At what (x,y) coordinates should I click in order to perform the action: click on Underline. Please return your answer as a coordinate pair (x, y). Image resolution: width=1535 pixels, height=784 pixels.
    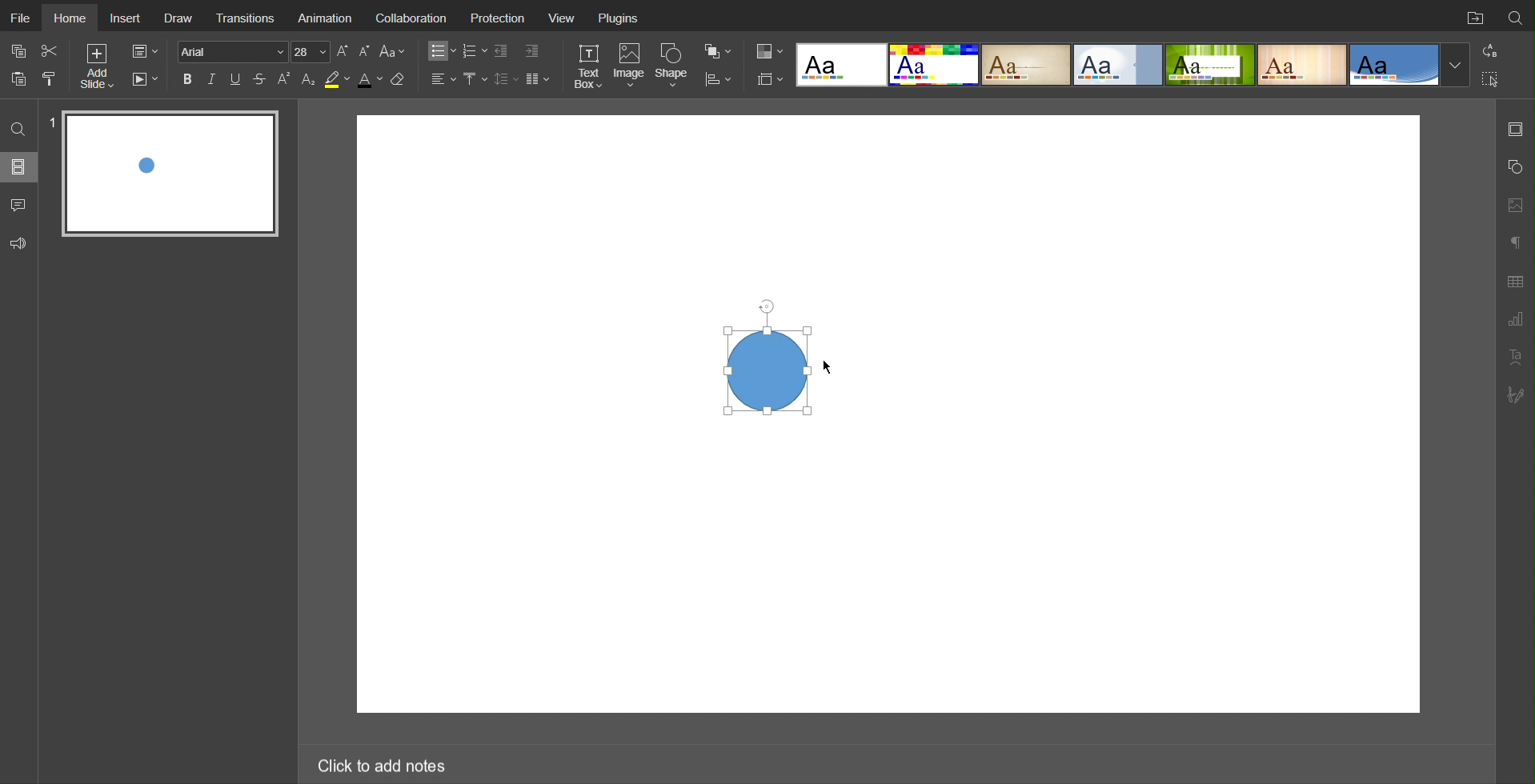
    Looking at the image, I should click on (237, 79).